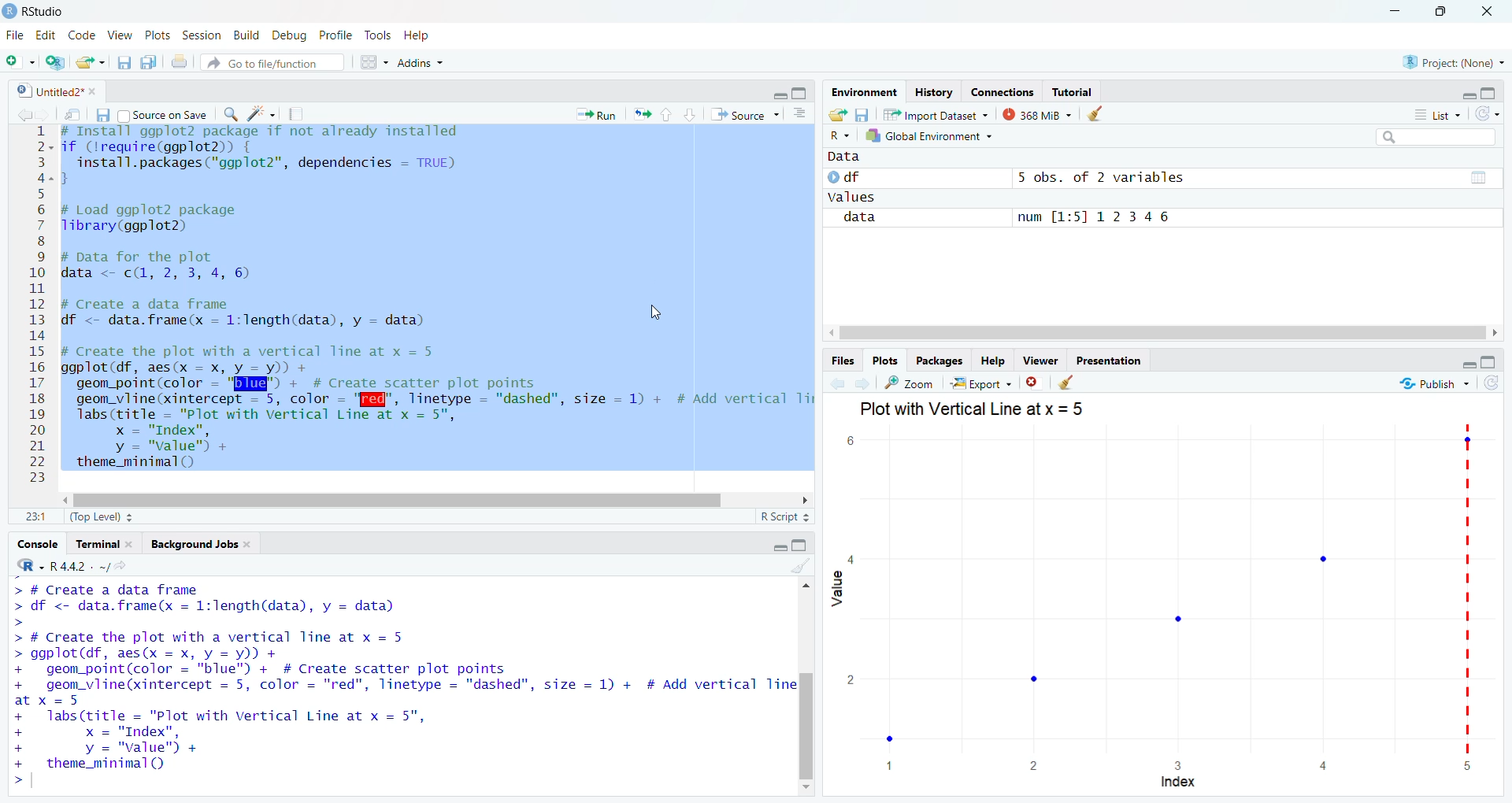 The image size is (1512, 803). Describe the element at coordinates (839, 117) in the screenshot. I see `export` at that location.